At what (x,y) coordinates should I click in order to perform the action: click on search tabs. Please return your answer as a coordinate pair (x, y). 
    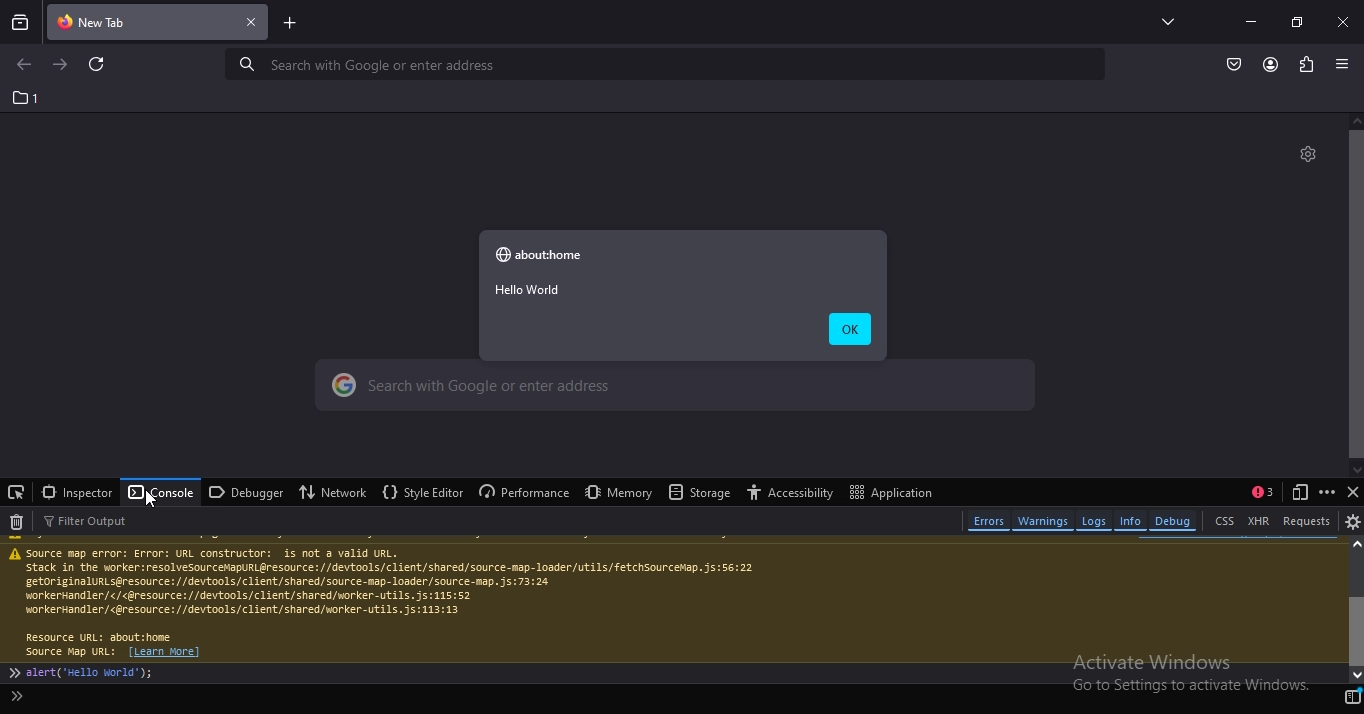
    Looking at the image, I should click on (21, 21).